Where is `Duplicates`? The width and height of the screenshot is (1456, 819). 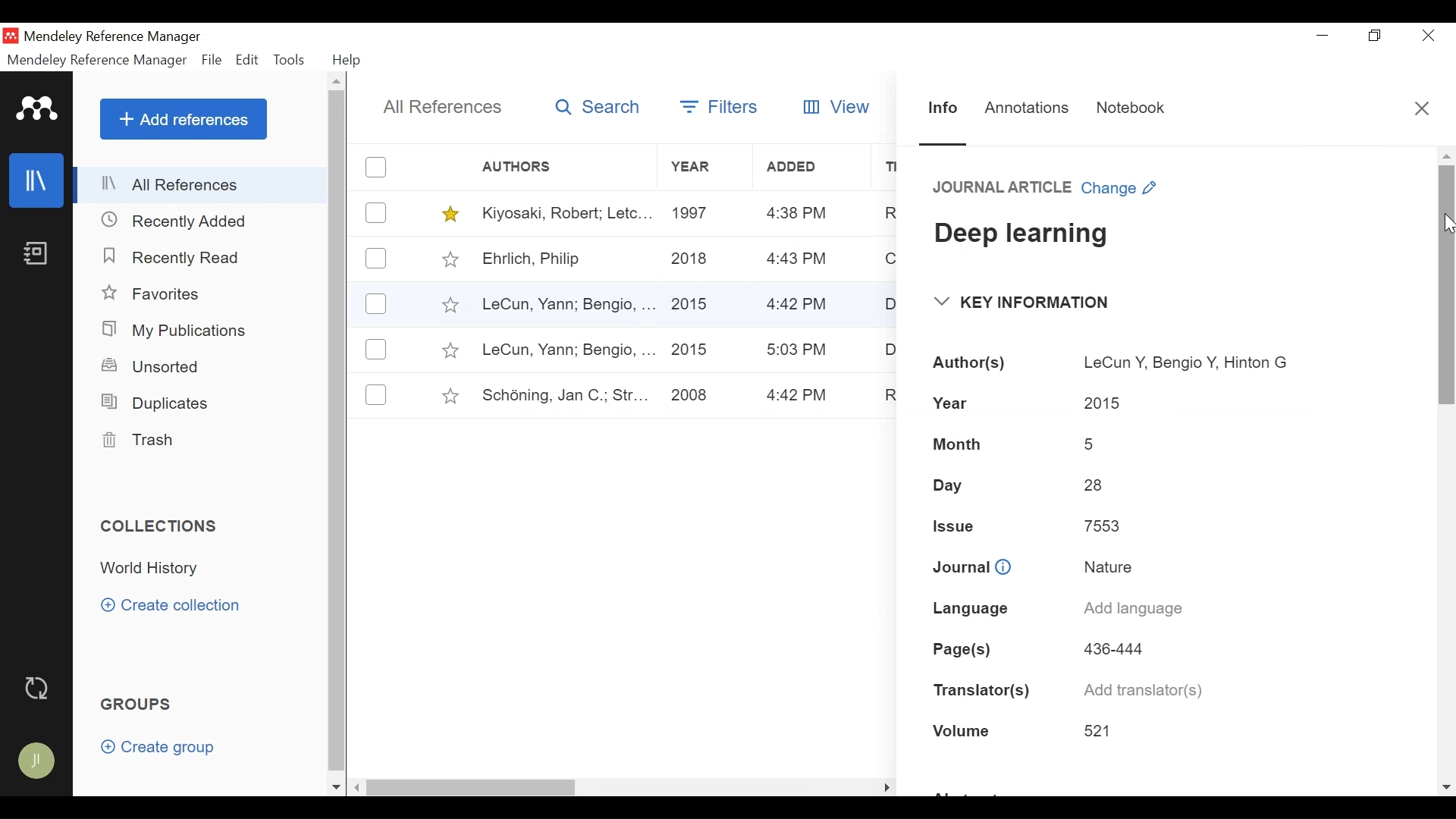 Duplicates is located at coordinates (152, 402).